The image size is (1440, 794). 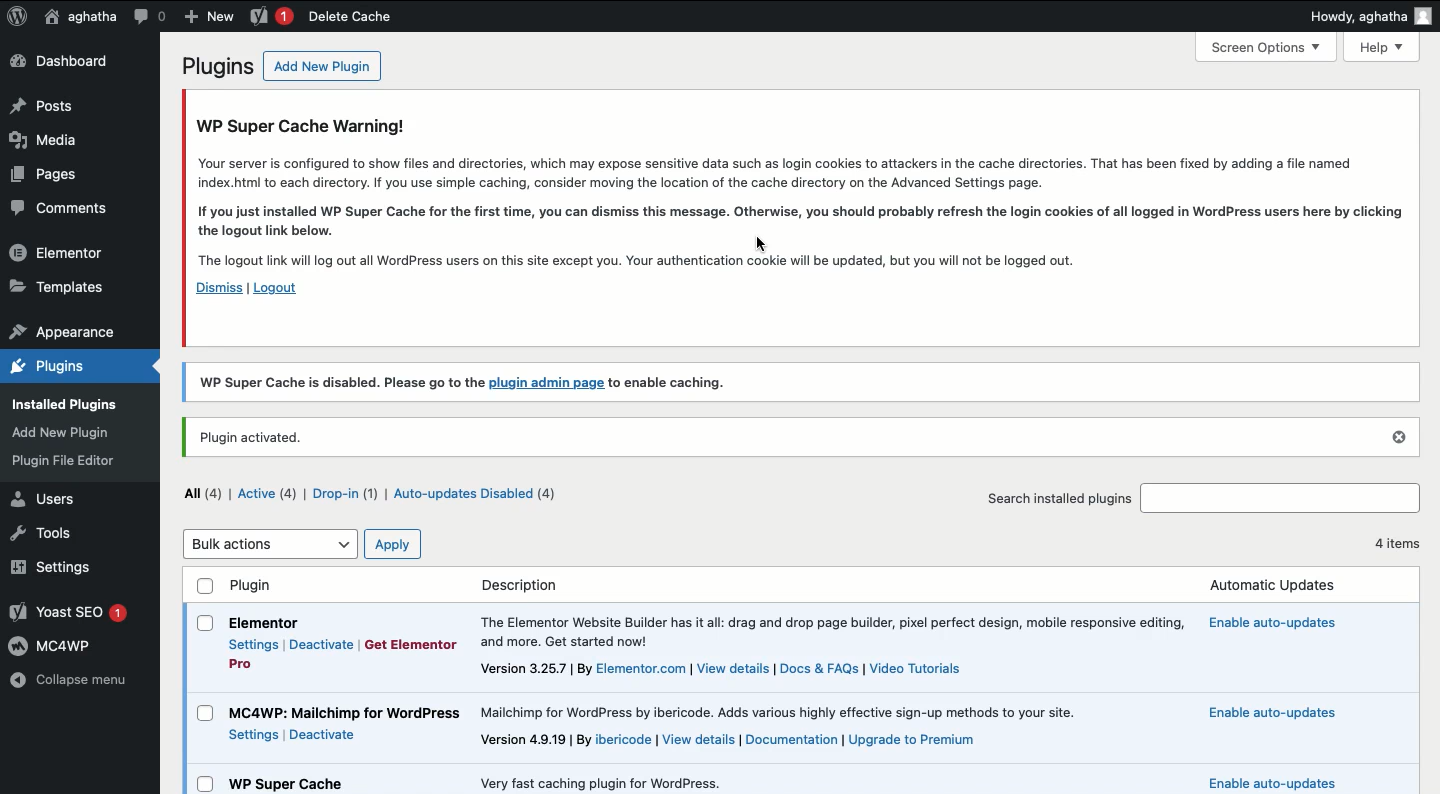 I want to click on Plugin, so click(x=279, y=601).